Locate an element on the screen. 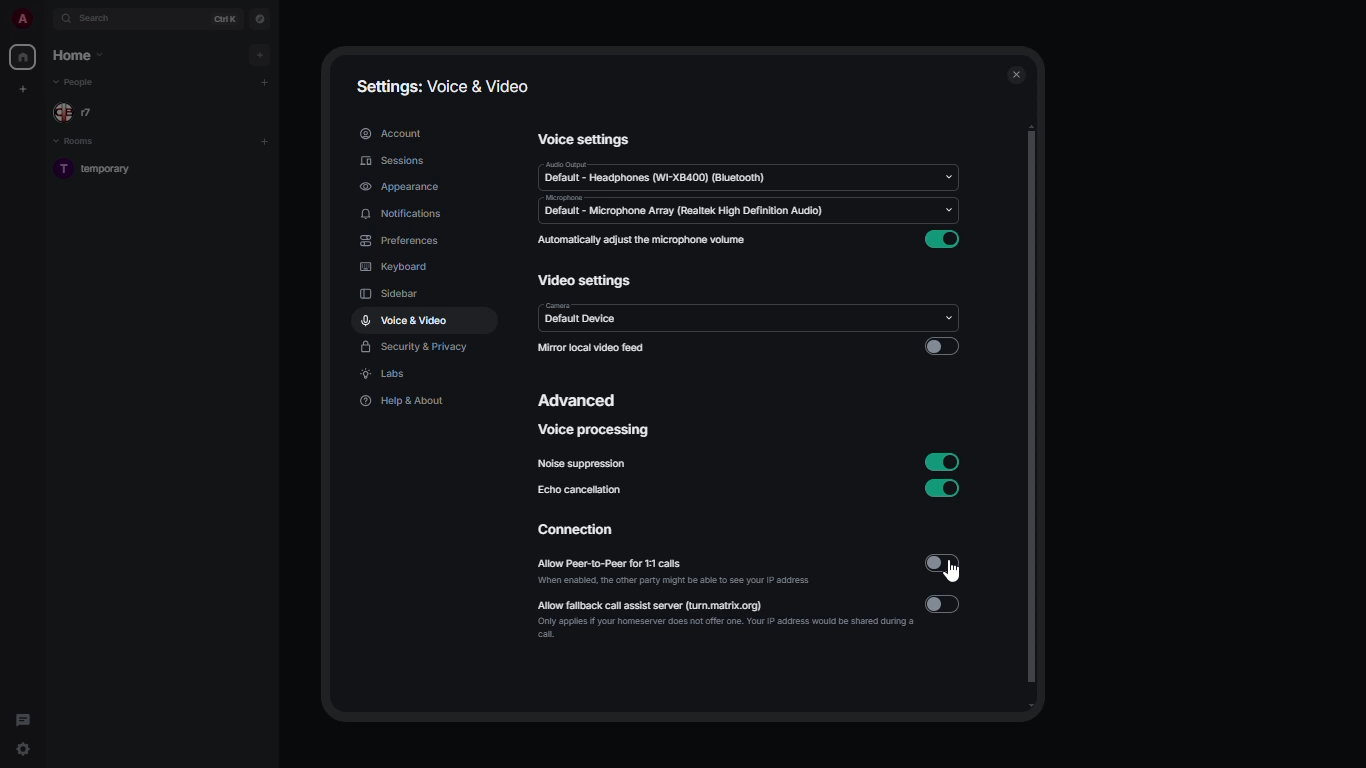 This screenshot has height=768, width=1366. enabled is located at coordinates (945, 462).